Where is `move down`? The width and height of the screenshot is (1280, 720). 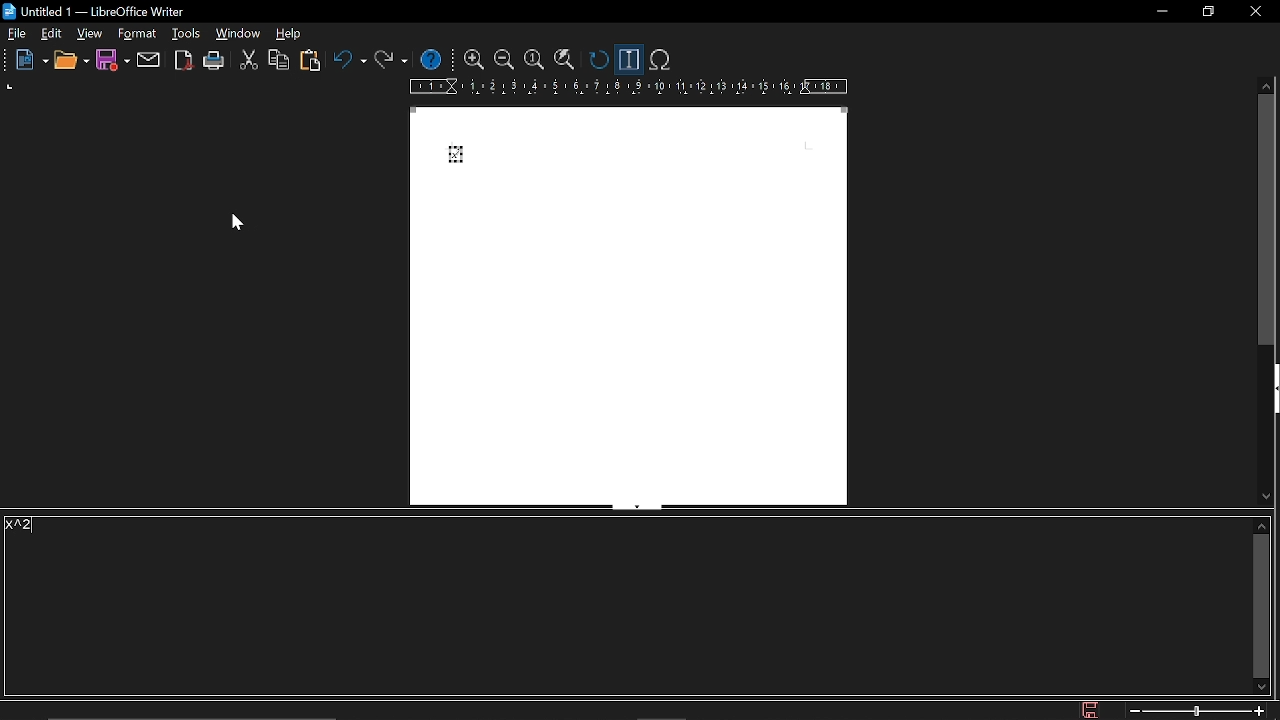 move down is located at coordinates (1266, 496).